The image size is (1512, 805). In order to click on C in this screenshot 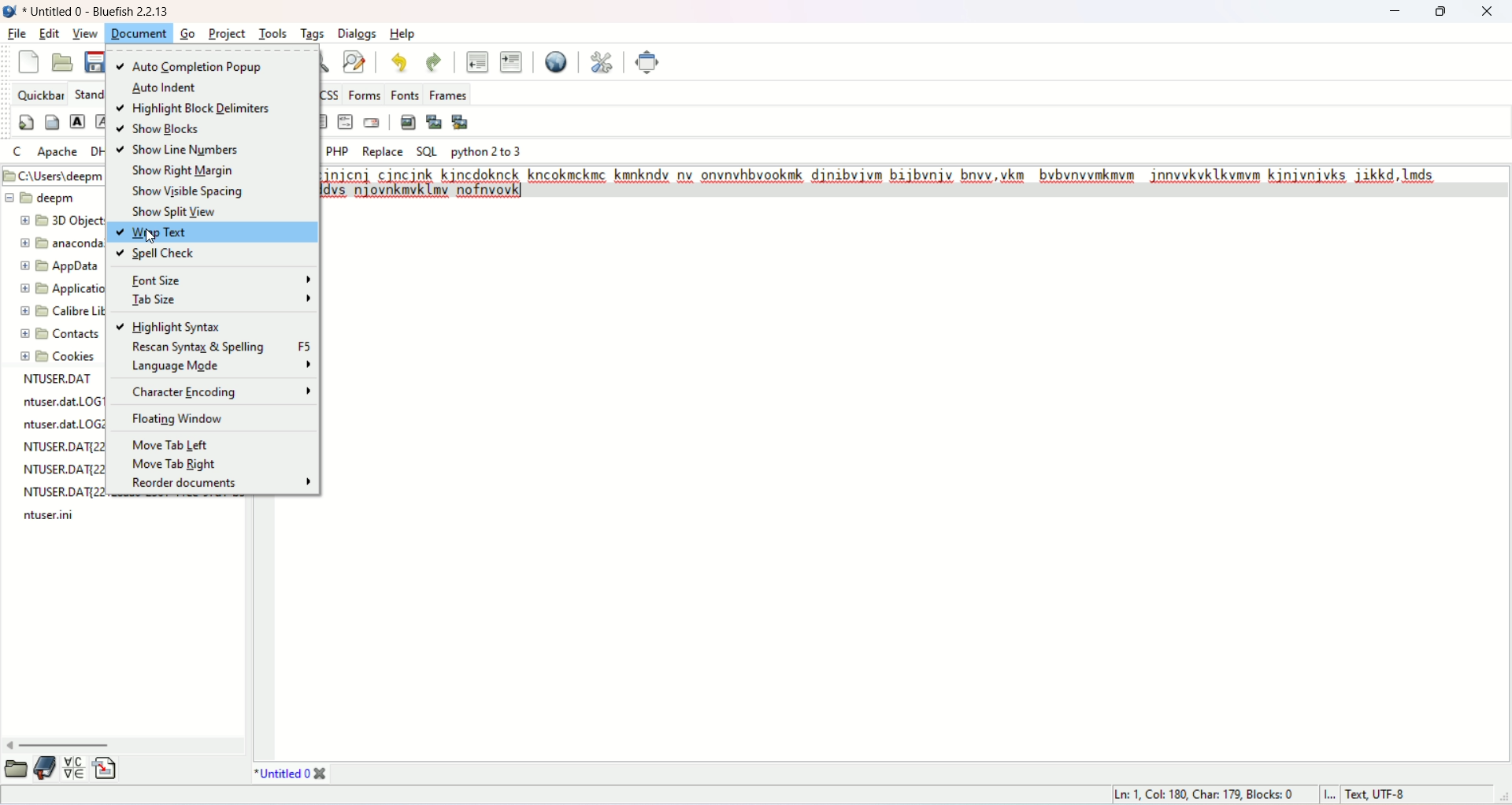, I will do `click(19, 151)`.